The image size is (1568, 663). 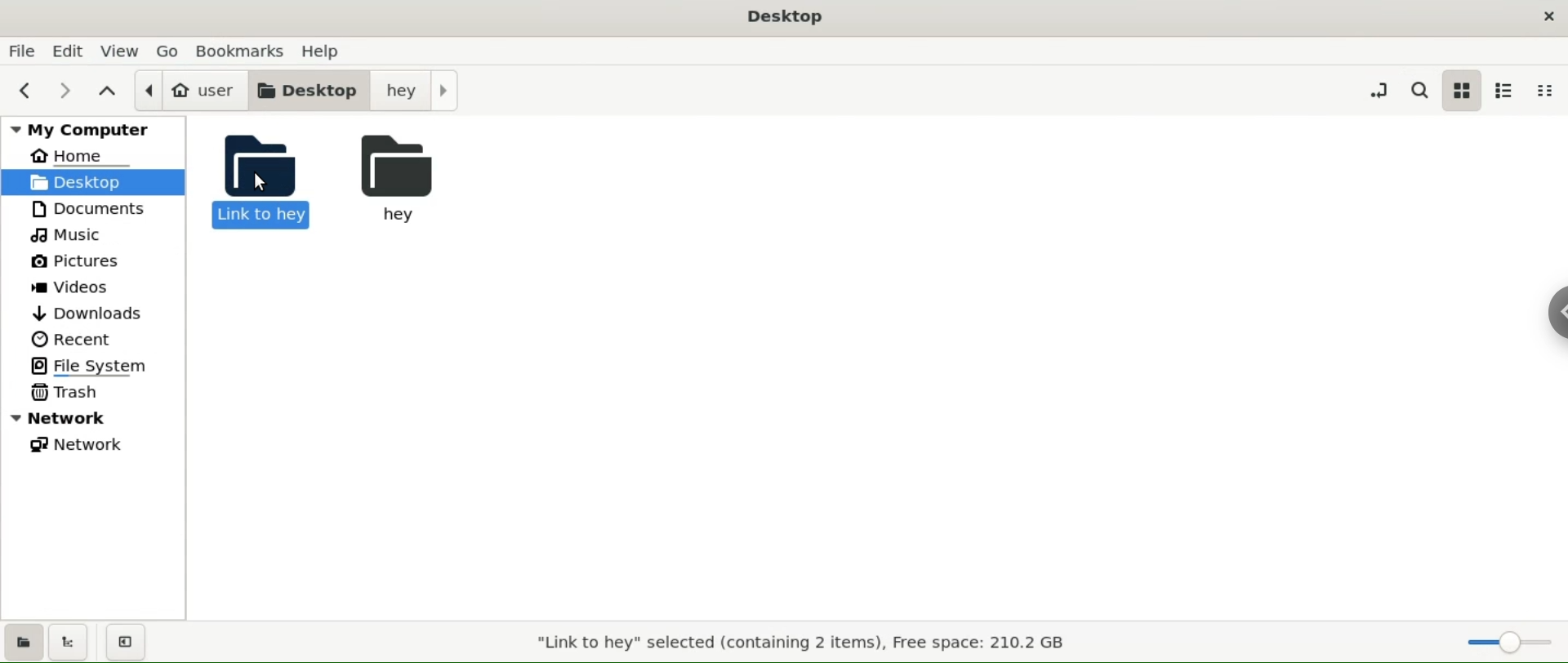 I want to click on "link to hey" selected (containing 2 items), Free Space: 210.2 G, so click(x=809, y=643).